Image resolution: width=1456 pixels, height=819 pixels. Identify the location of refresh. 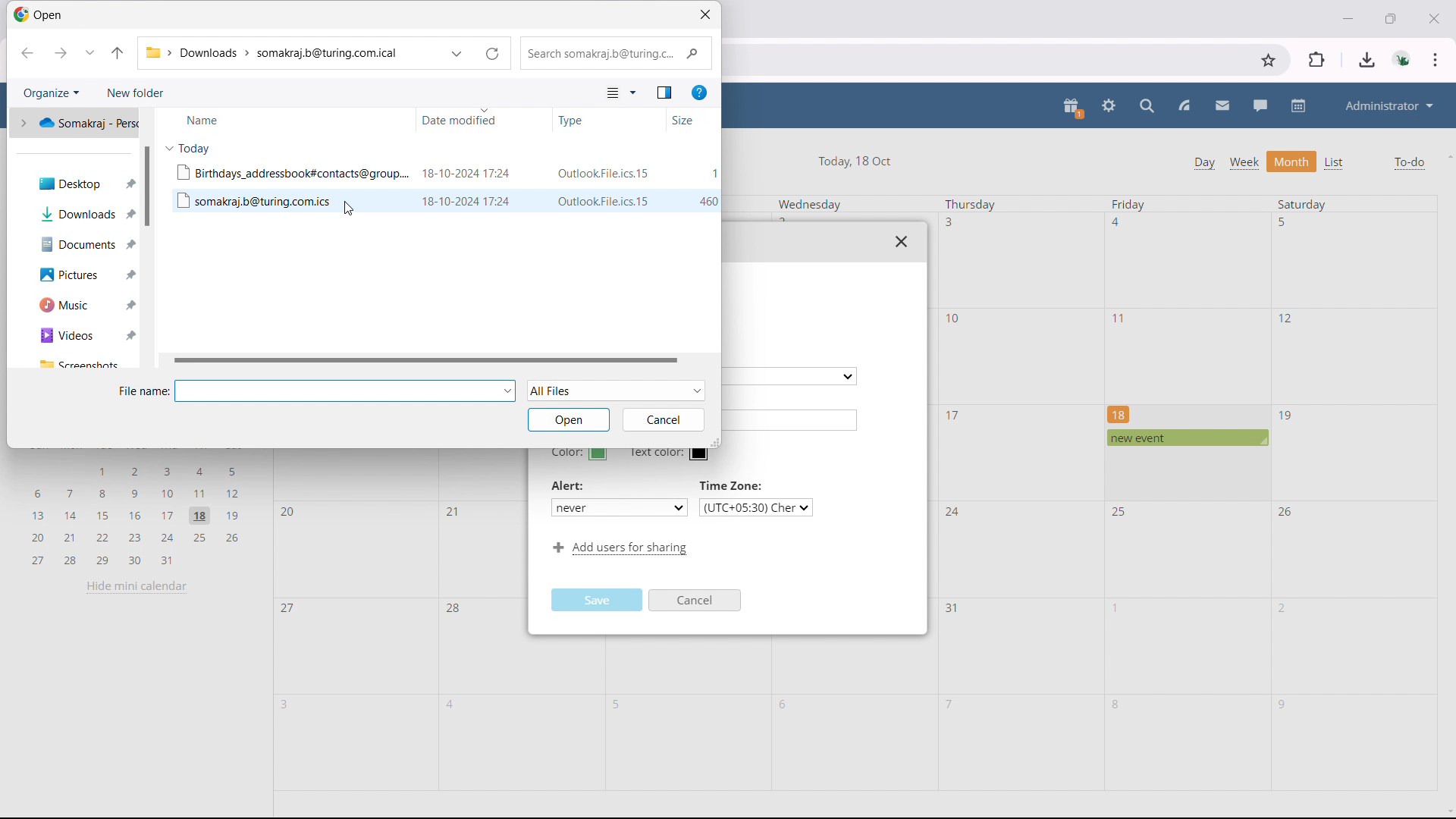
(492, 54).